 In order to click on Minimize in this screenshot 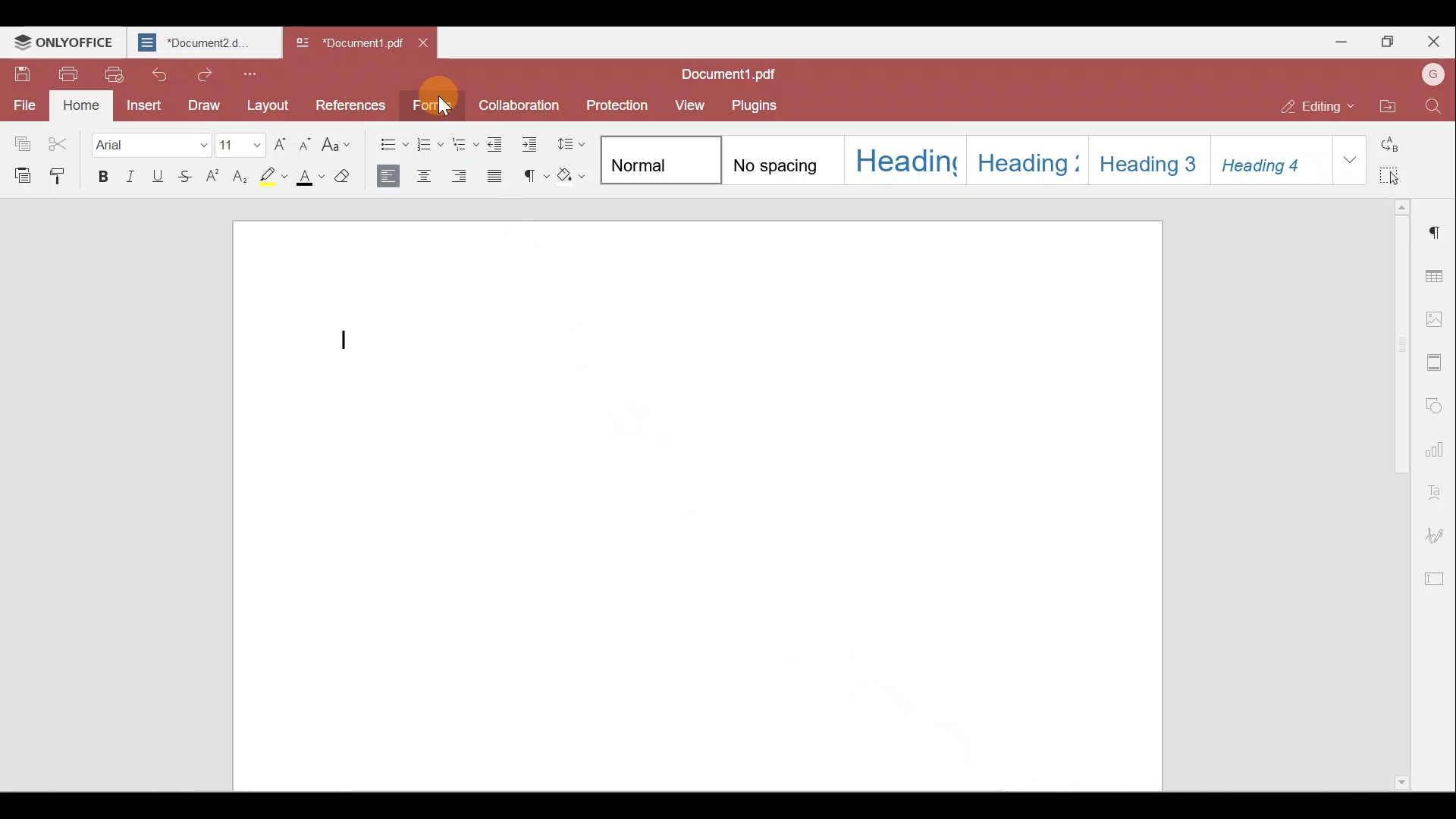, I will do `click(1343, 42)`.